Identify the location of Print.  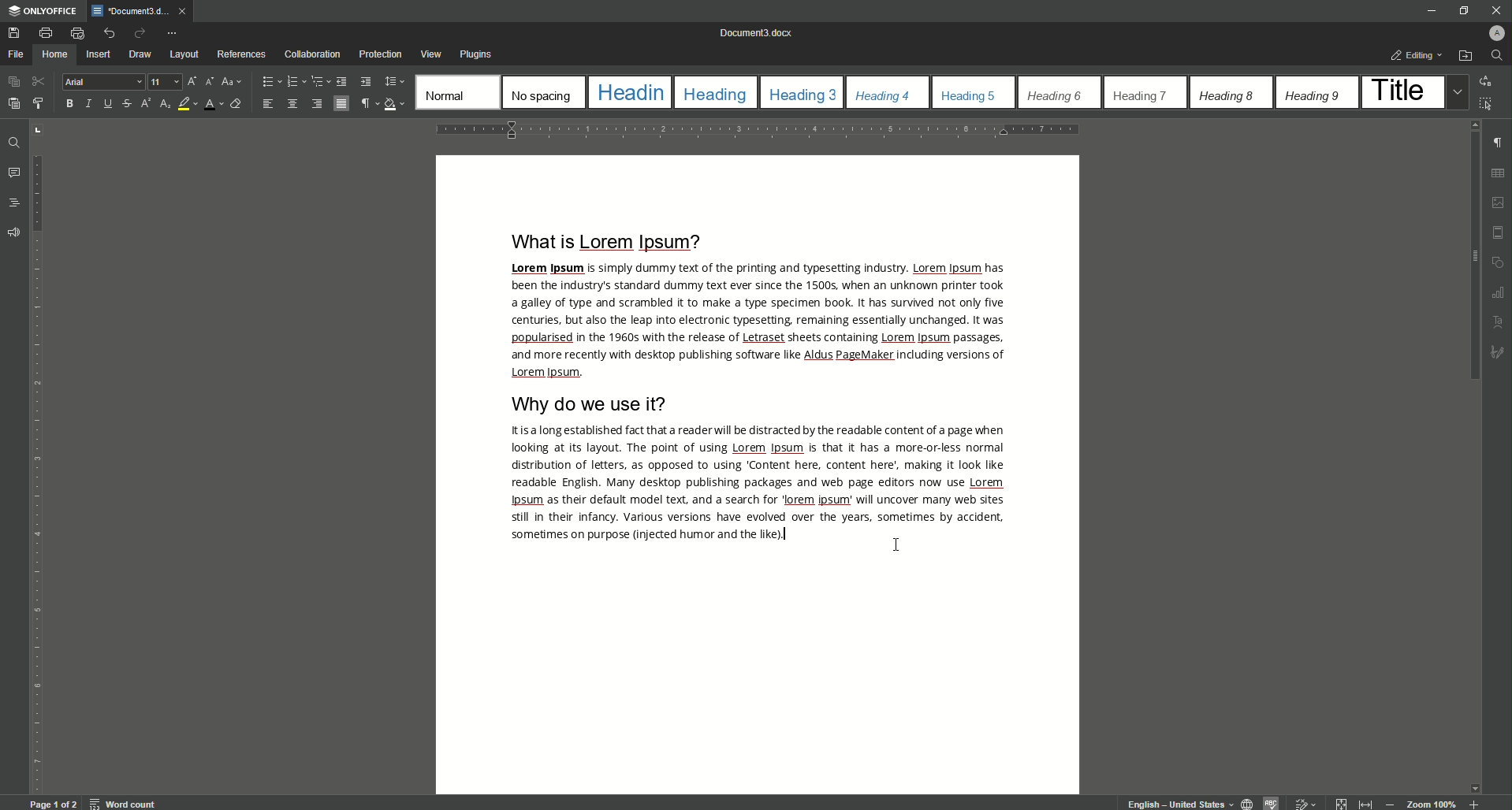
(47, 33).